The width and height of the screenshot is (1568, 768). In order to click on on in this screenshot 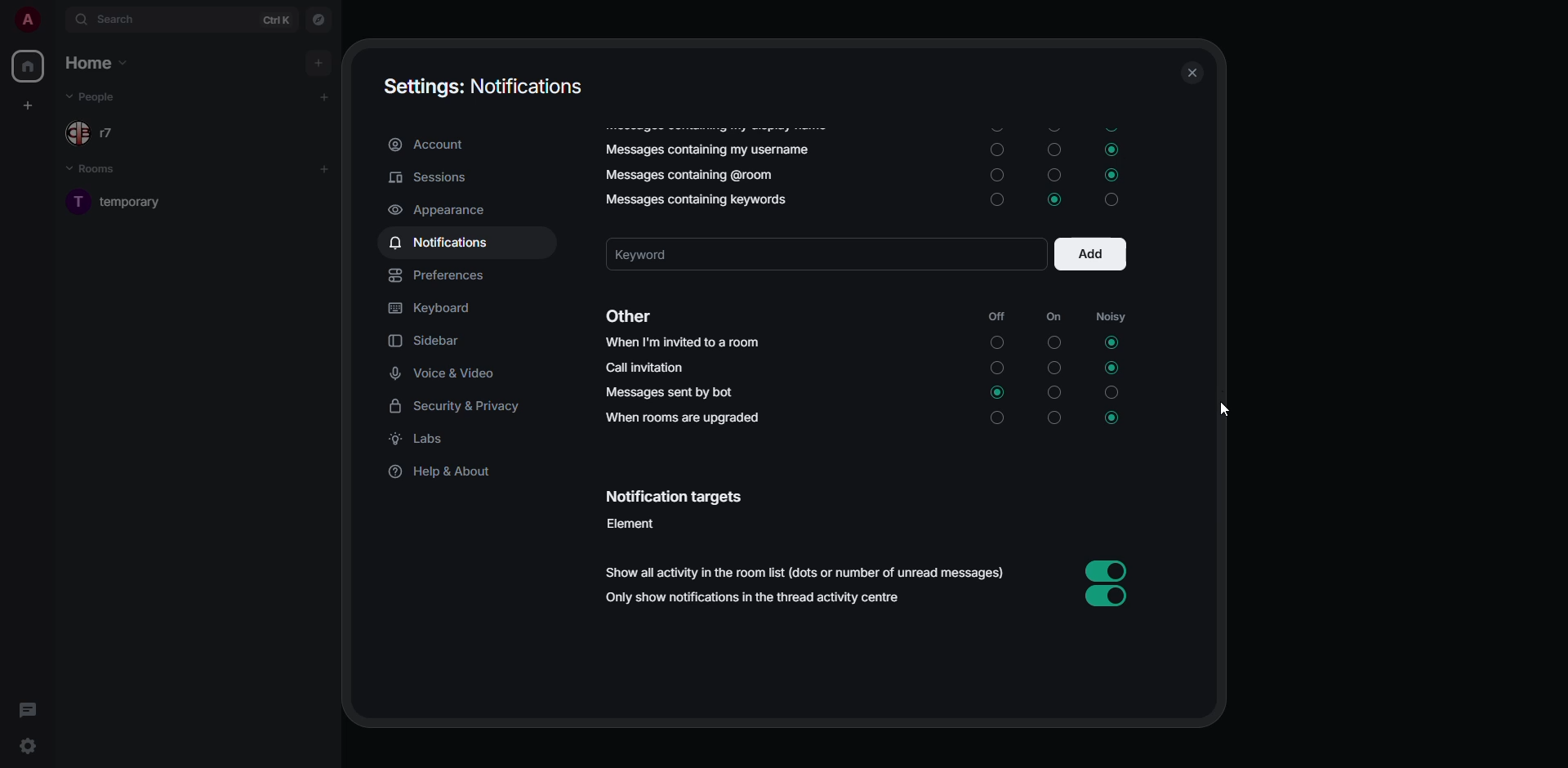, I will do `click(1000, 203)`.